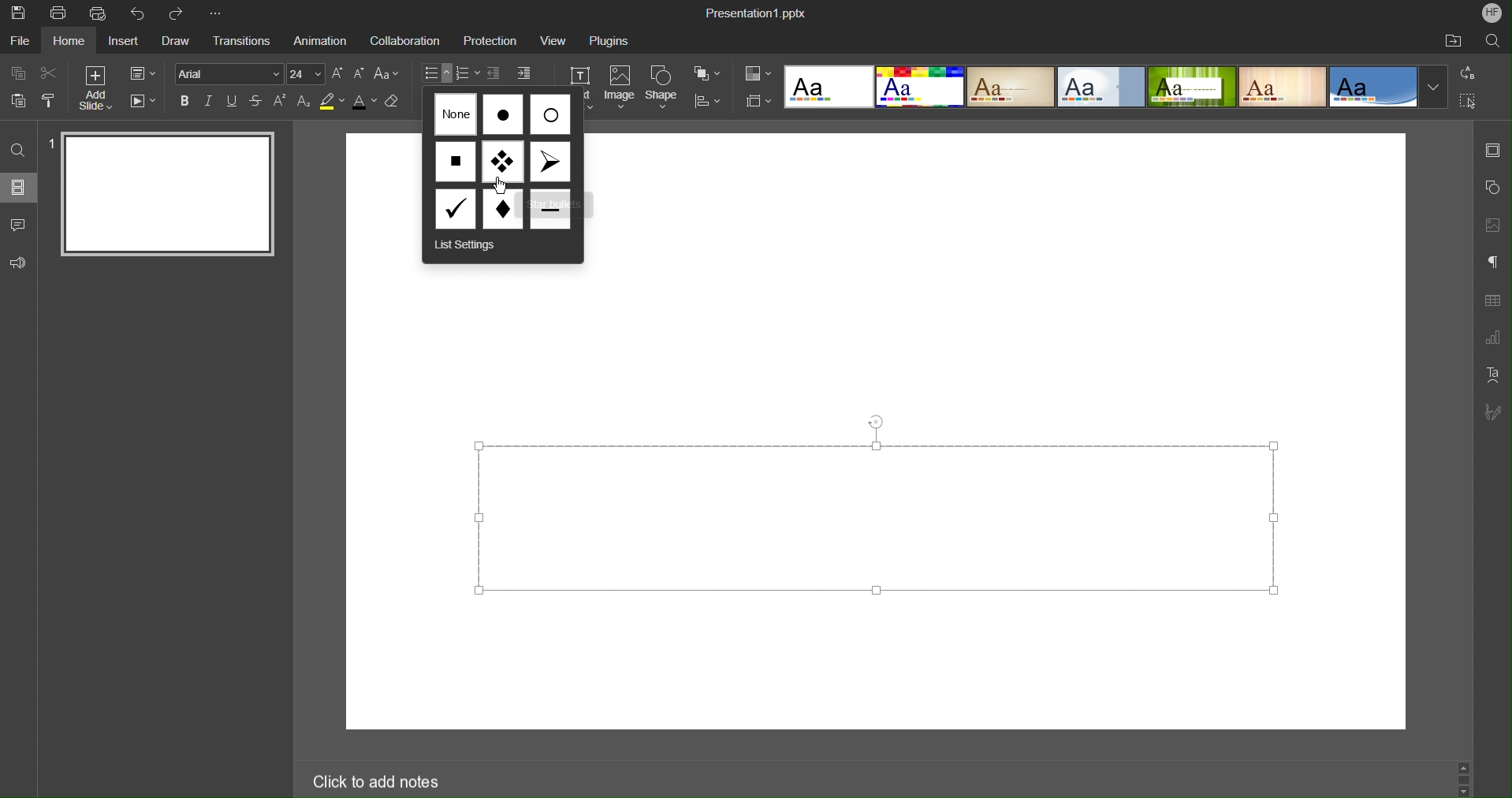 This screenshot has width=1512, height=798. What do you see at coordinates (878, 518) in the screenshot?
I see `text editor` at bounding box center [878, 518].